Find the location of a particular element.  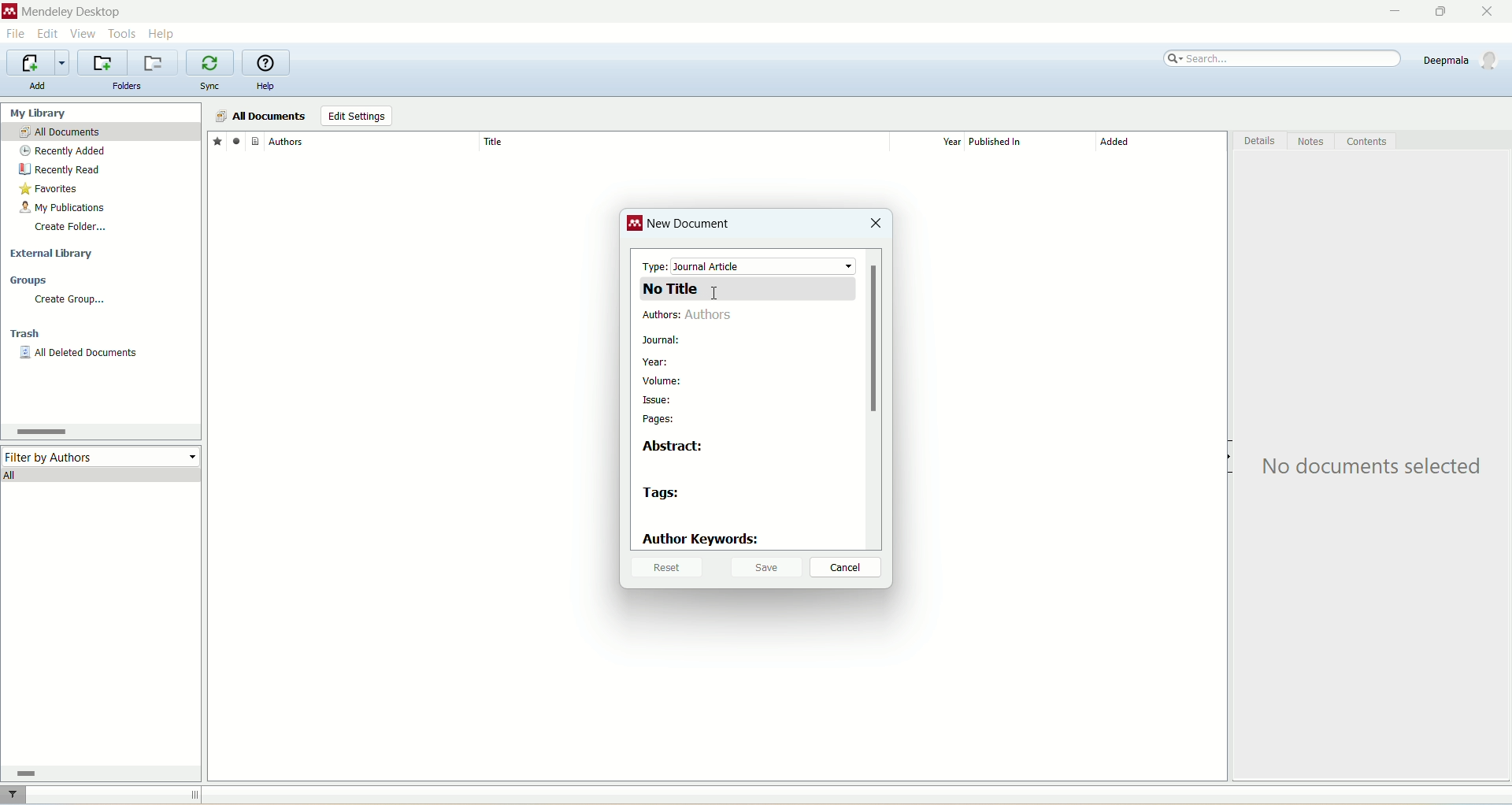

horizontal scroll bar is located at coordinates (98, 773).